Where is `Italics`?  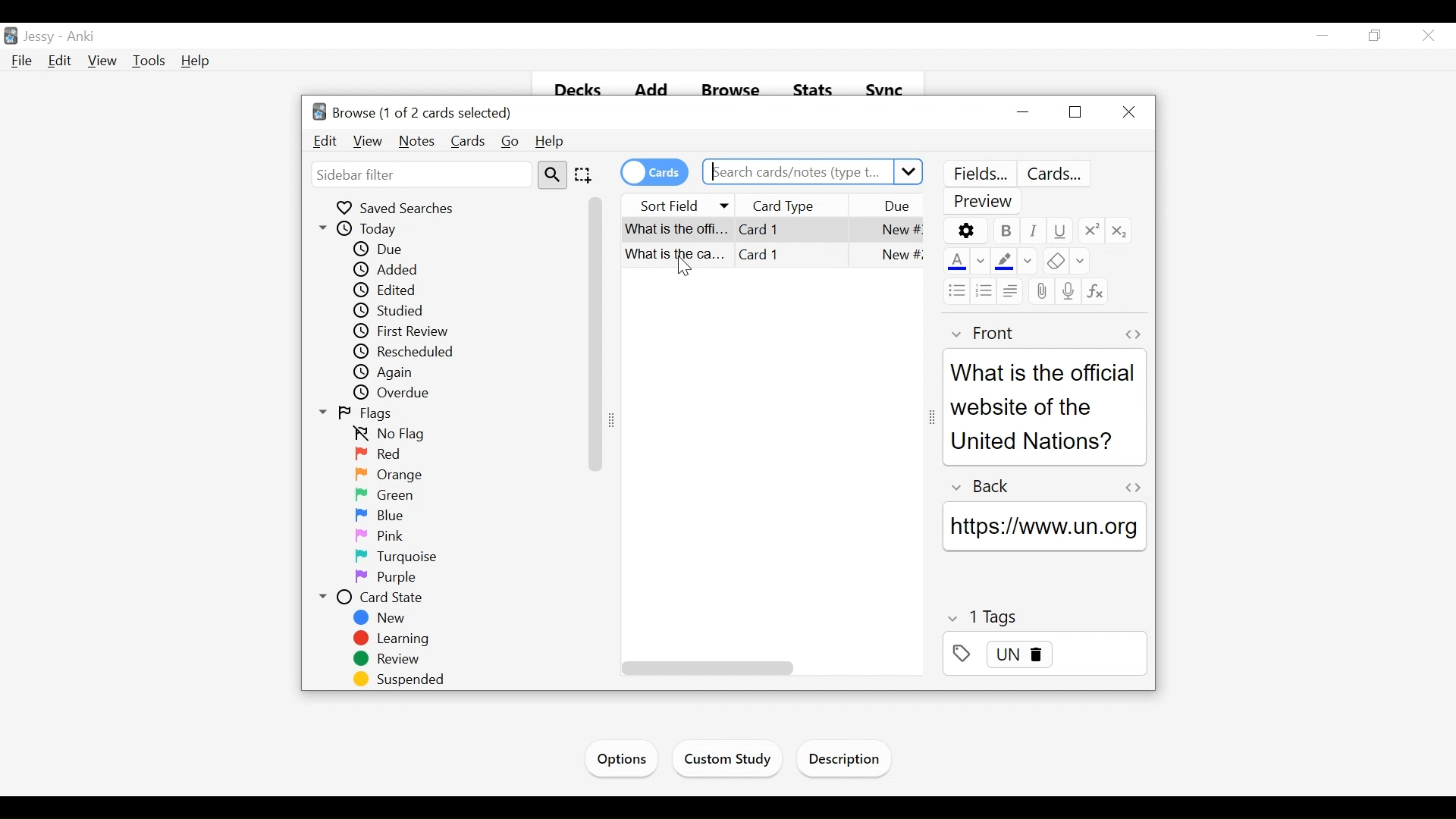 Italics is located at coordinates (1034, 231).